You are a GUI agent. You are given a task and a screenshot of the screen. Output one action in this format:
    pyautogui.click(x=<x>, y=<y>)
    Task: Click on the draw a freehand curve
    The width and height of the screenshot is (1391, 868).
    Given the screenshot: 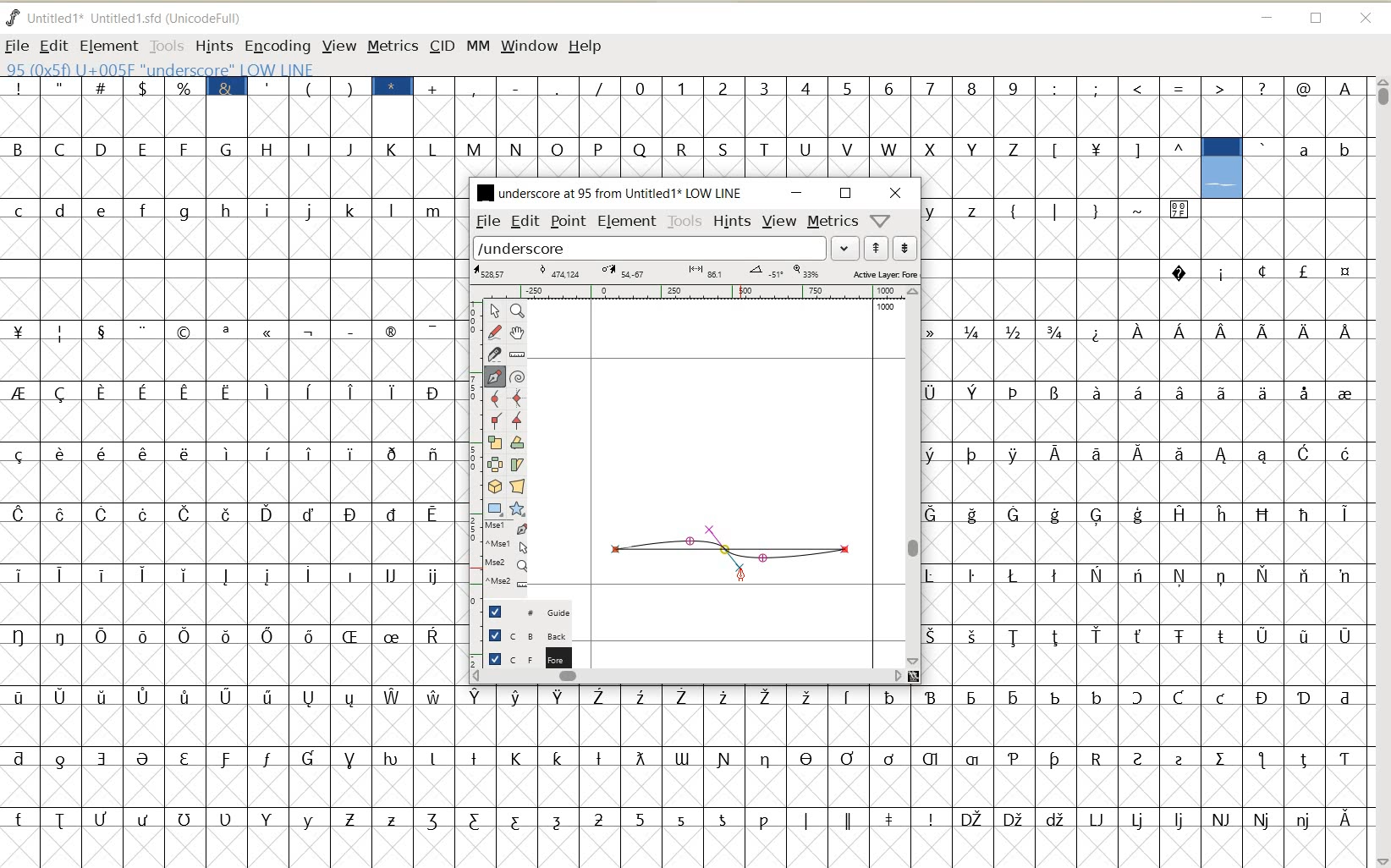 What is the action you would take?
    pyautogui.click(x=496, y=332)
    